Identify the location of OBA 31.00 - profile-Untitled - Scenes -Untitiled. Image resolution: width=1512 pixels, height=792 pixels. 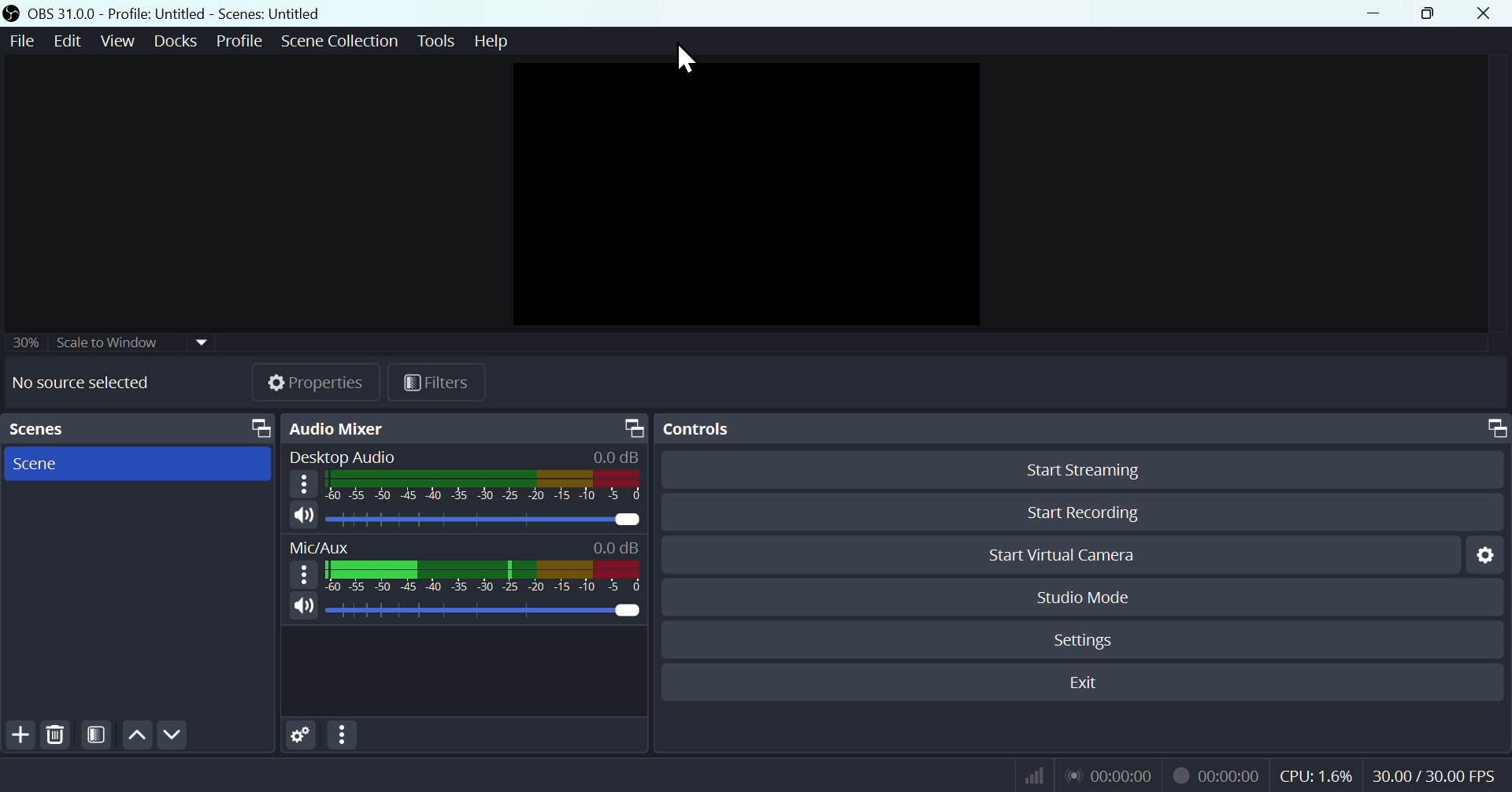
(200, 13).